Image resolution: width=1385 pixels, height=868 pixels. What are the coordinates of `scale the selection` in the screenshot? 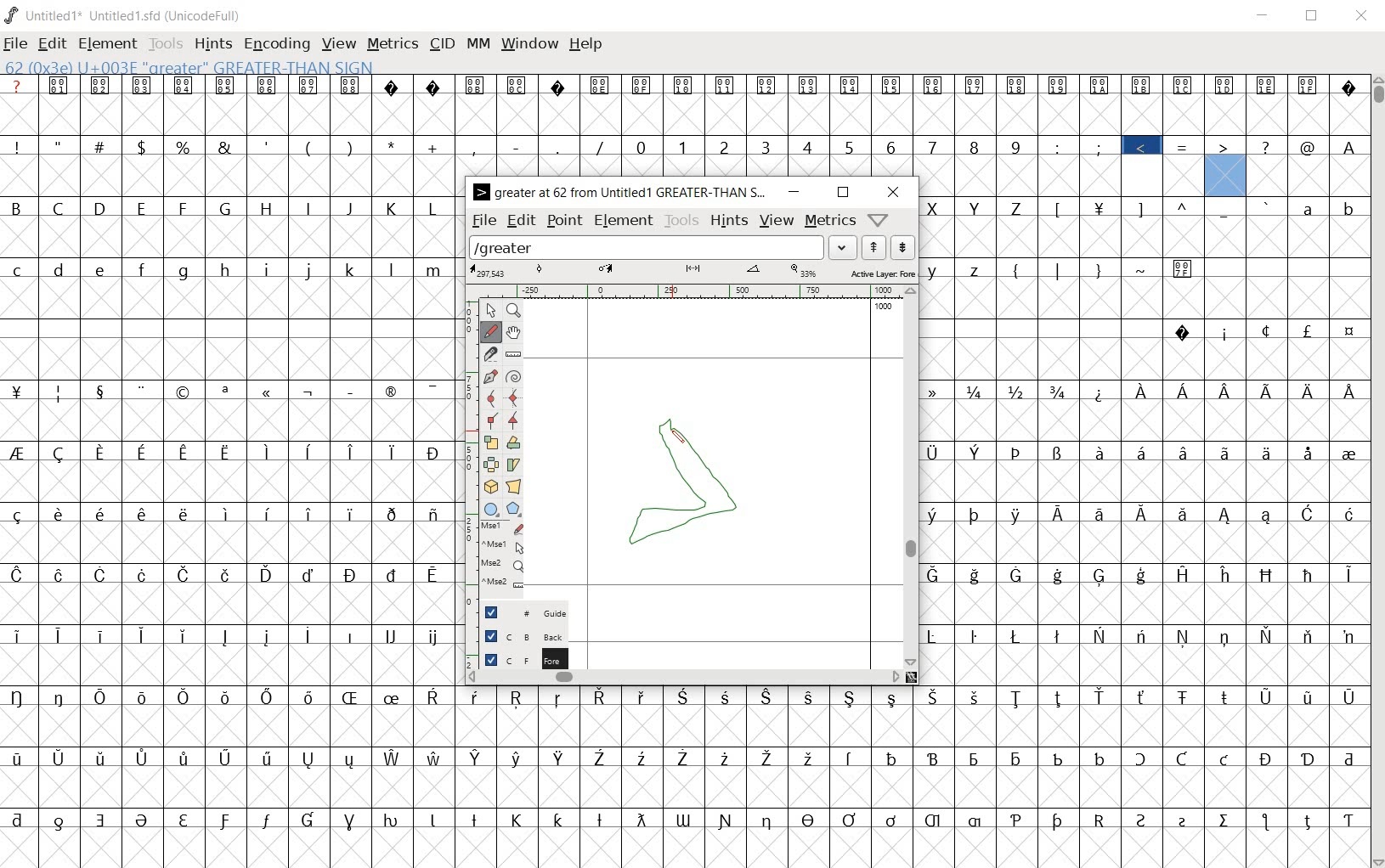 It's located at (489, 442).